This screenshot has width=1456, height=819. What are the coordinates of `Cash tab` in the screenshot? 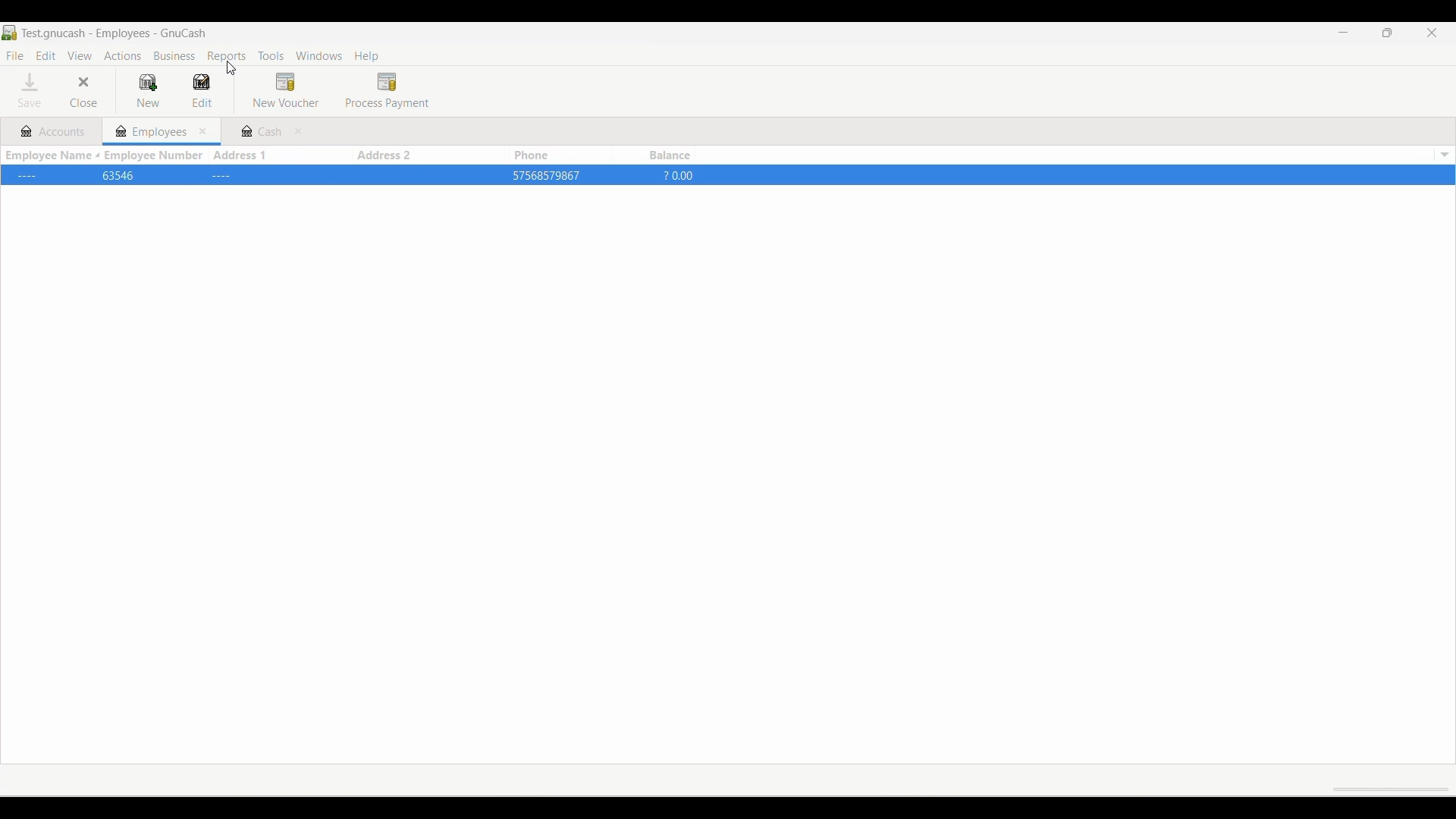 It's located at (266, 132).